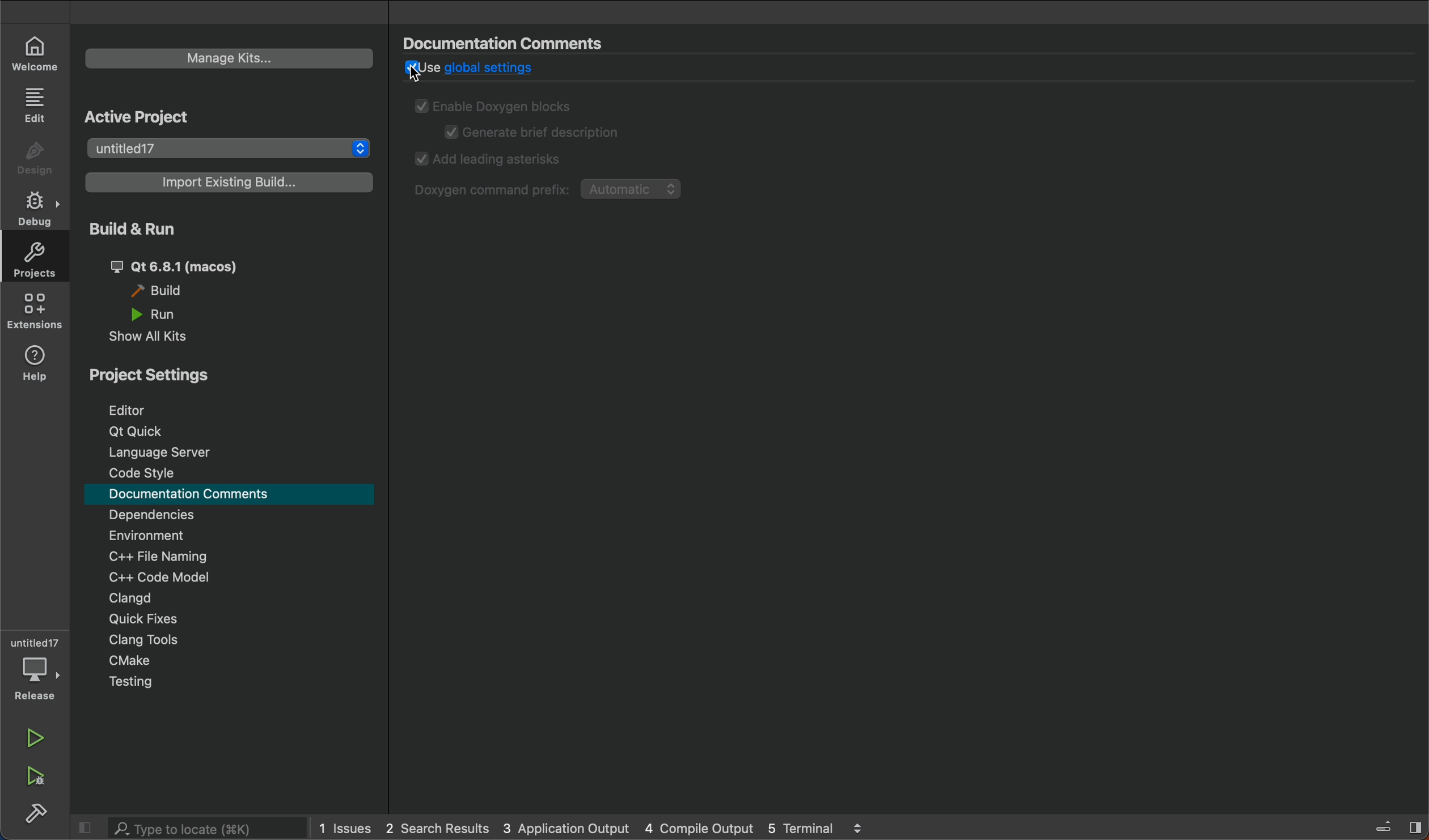 The image size is (1429, 840). I want to click on run, so click(173, 313).